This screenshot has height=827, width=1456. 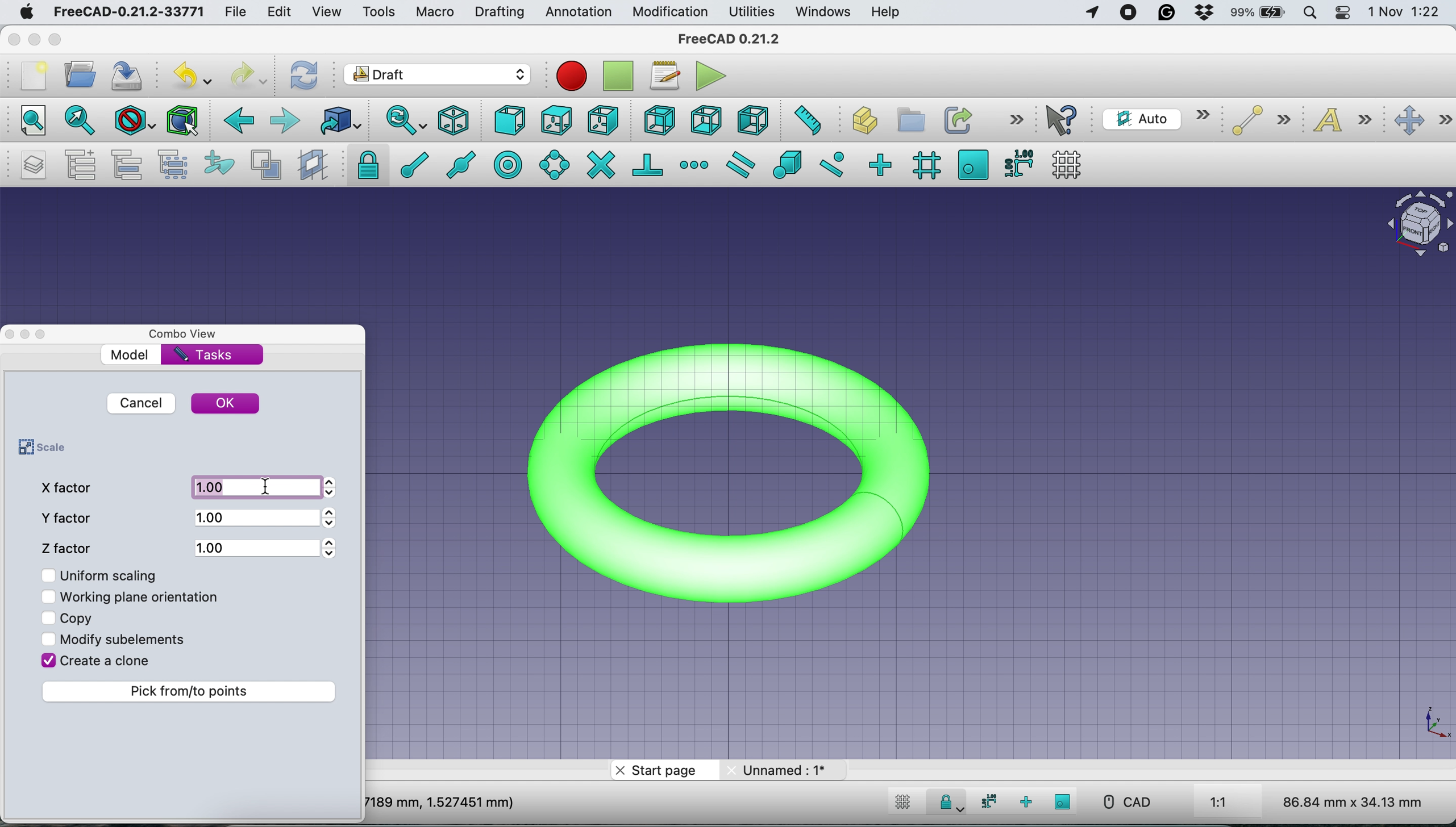 I want to click on working plane orientation, so click(x=145, y=596).